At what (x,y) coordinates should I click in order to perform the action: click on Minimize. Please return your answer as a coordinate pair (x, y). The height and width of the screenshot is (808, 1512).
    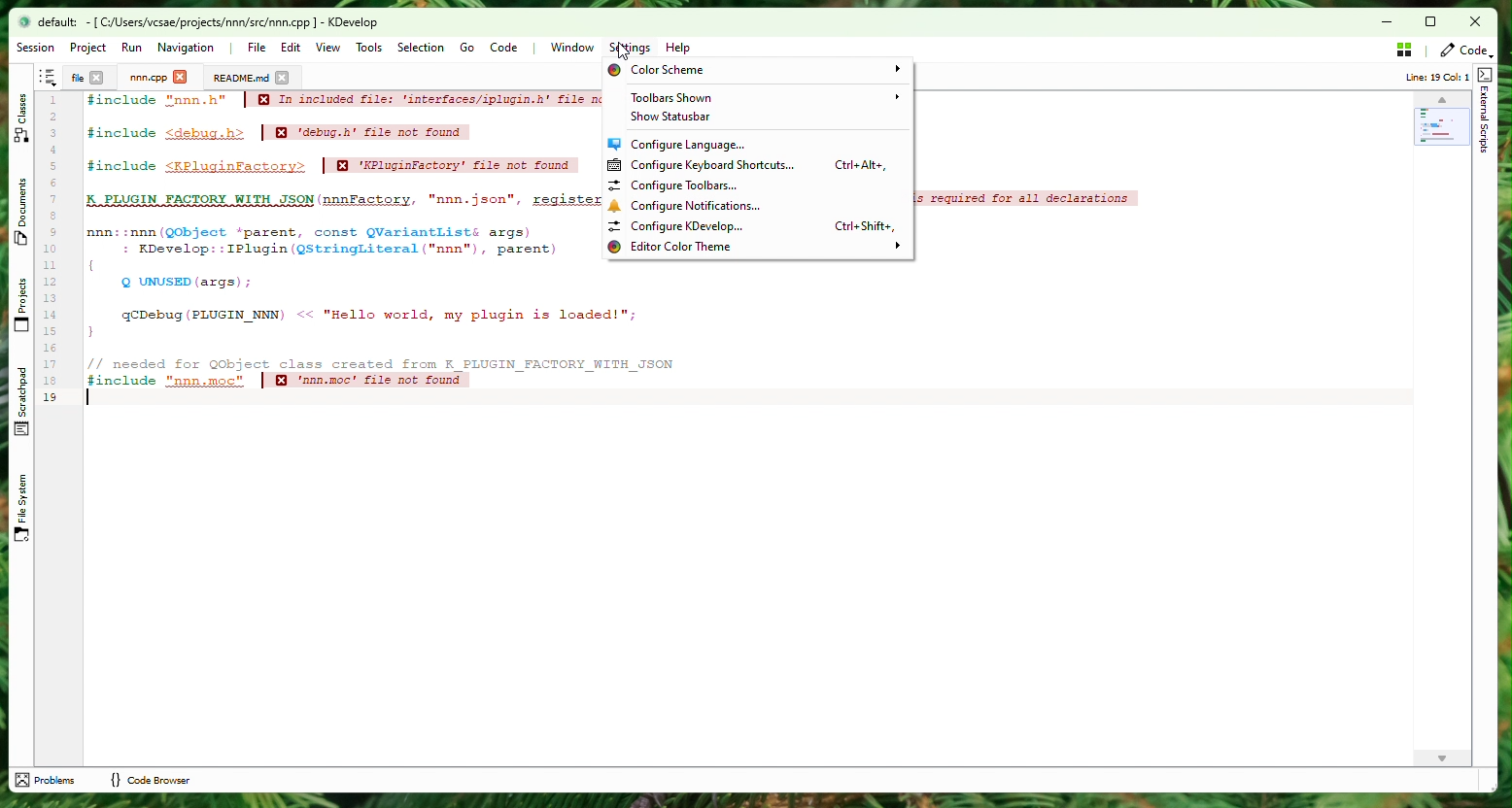
    Looking at the image, I should click on (1390, 22).